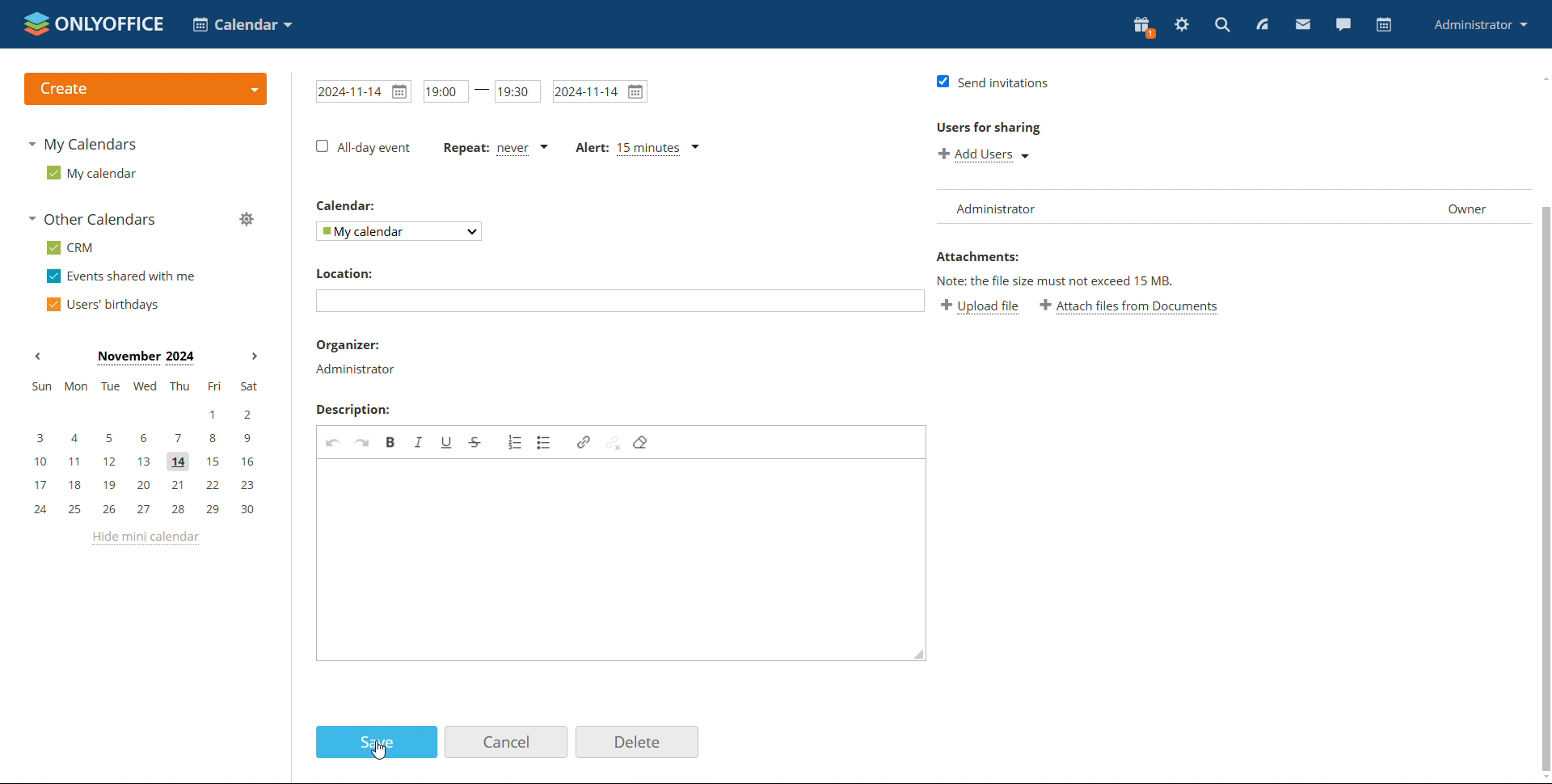 This screenshot has height=784, width=1552. Describe the element at coordinates (1183, 24) in the screenshot. I see `settings` at that location.